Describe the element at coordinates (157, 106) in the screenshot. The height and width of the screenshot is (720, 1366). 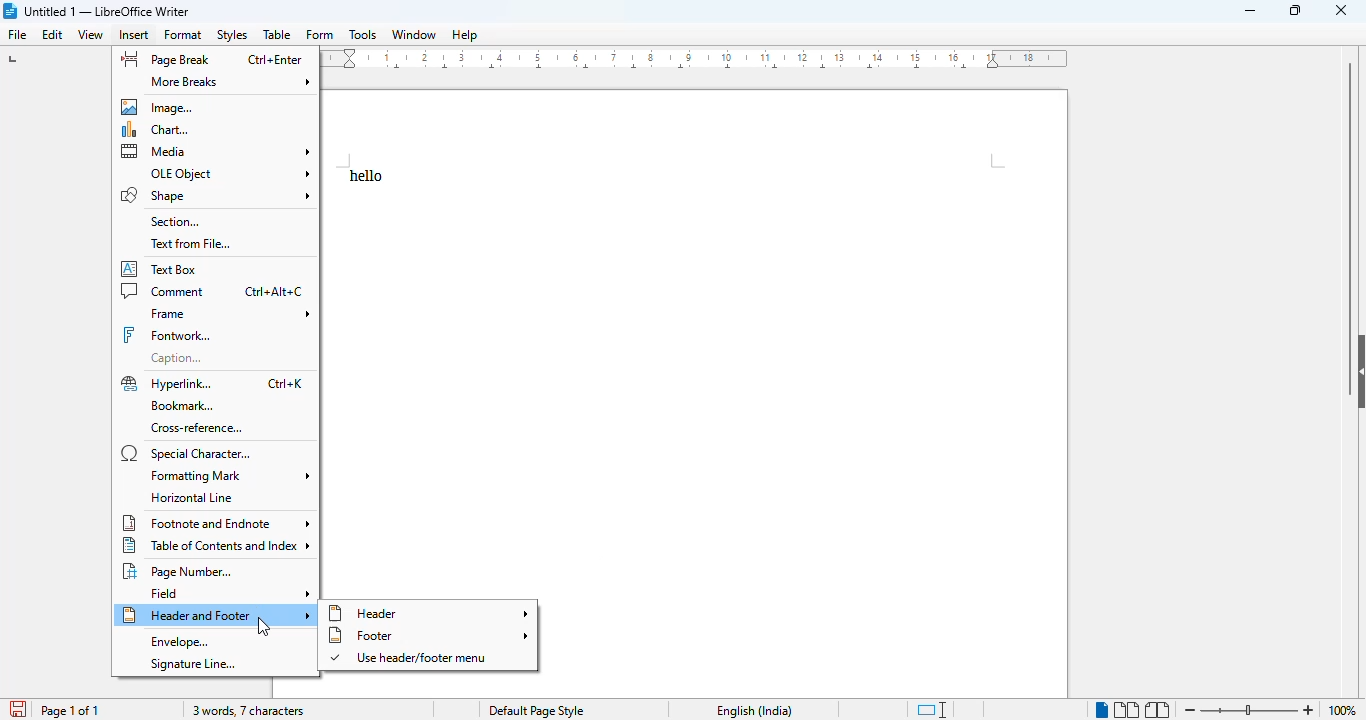
I see `image` at that location.